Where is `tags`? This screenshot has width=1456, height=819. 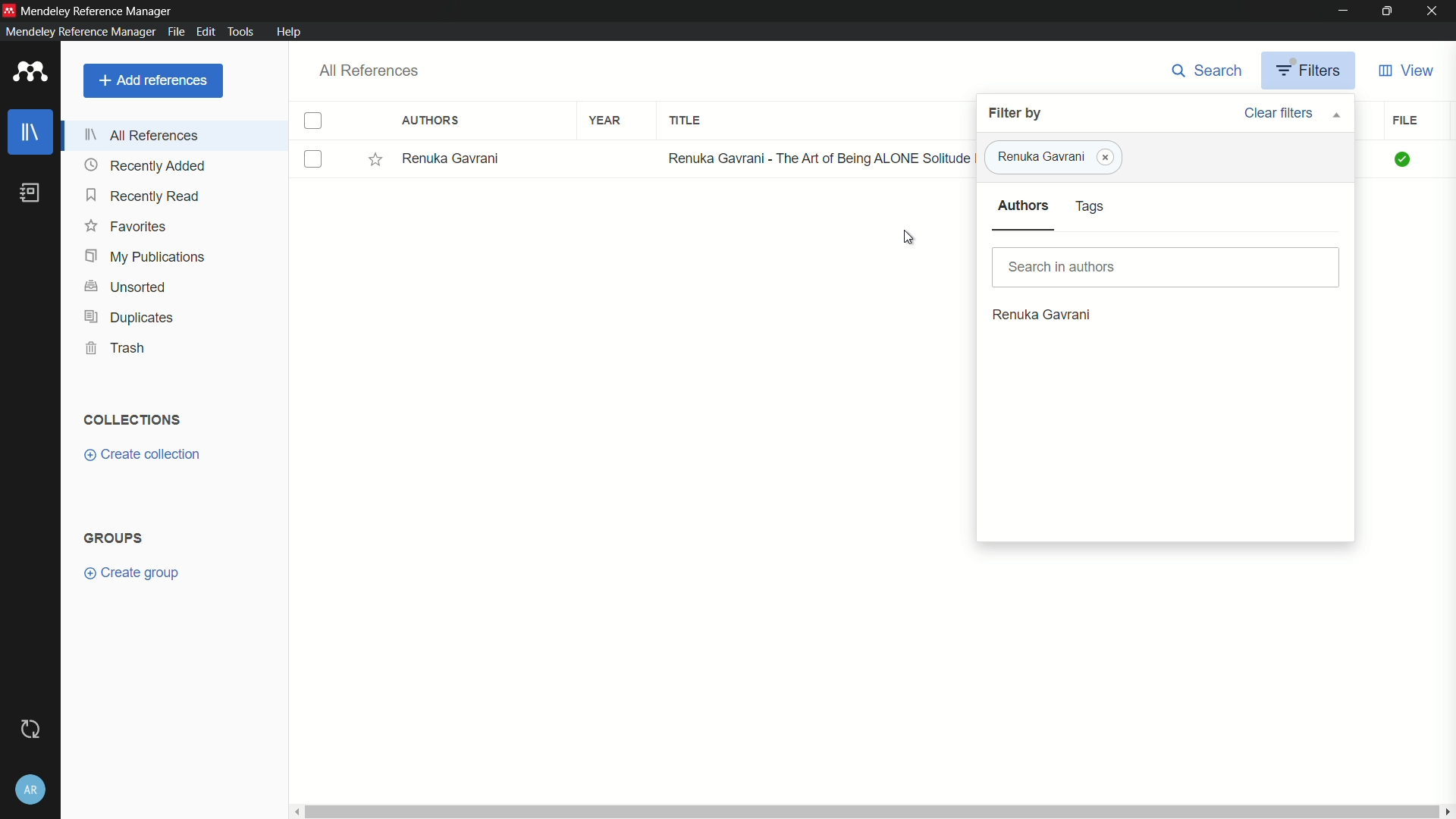 tags is located at coordinates (1091, 206).